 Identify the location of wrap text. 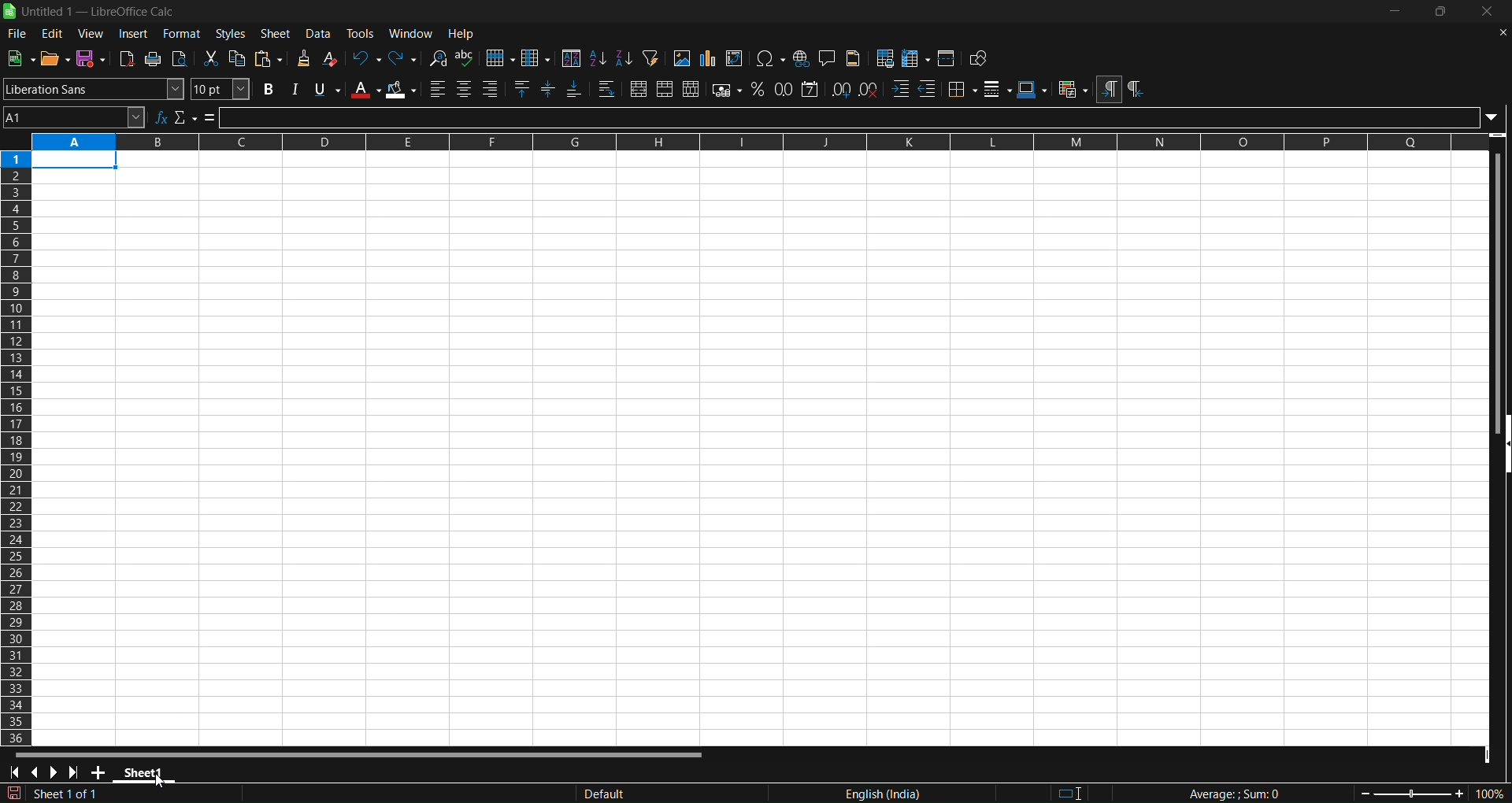
(607, 91).